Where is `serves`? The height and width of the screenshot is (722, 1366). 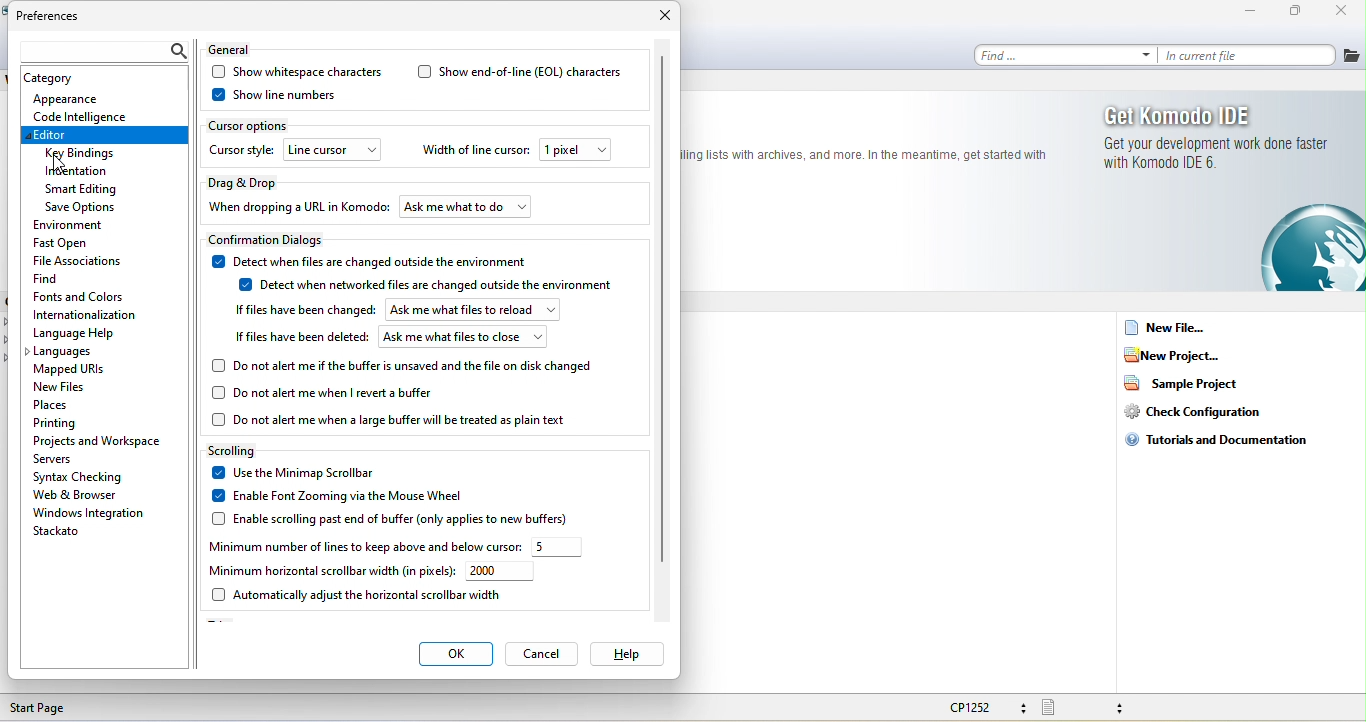 serves is located at coordinates (59, 458).